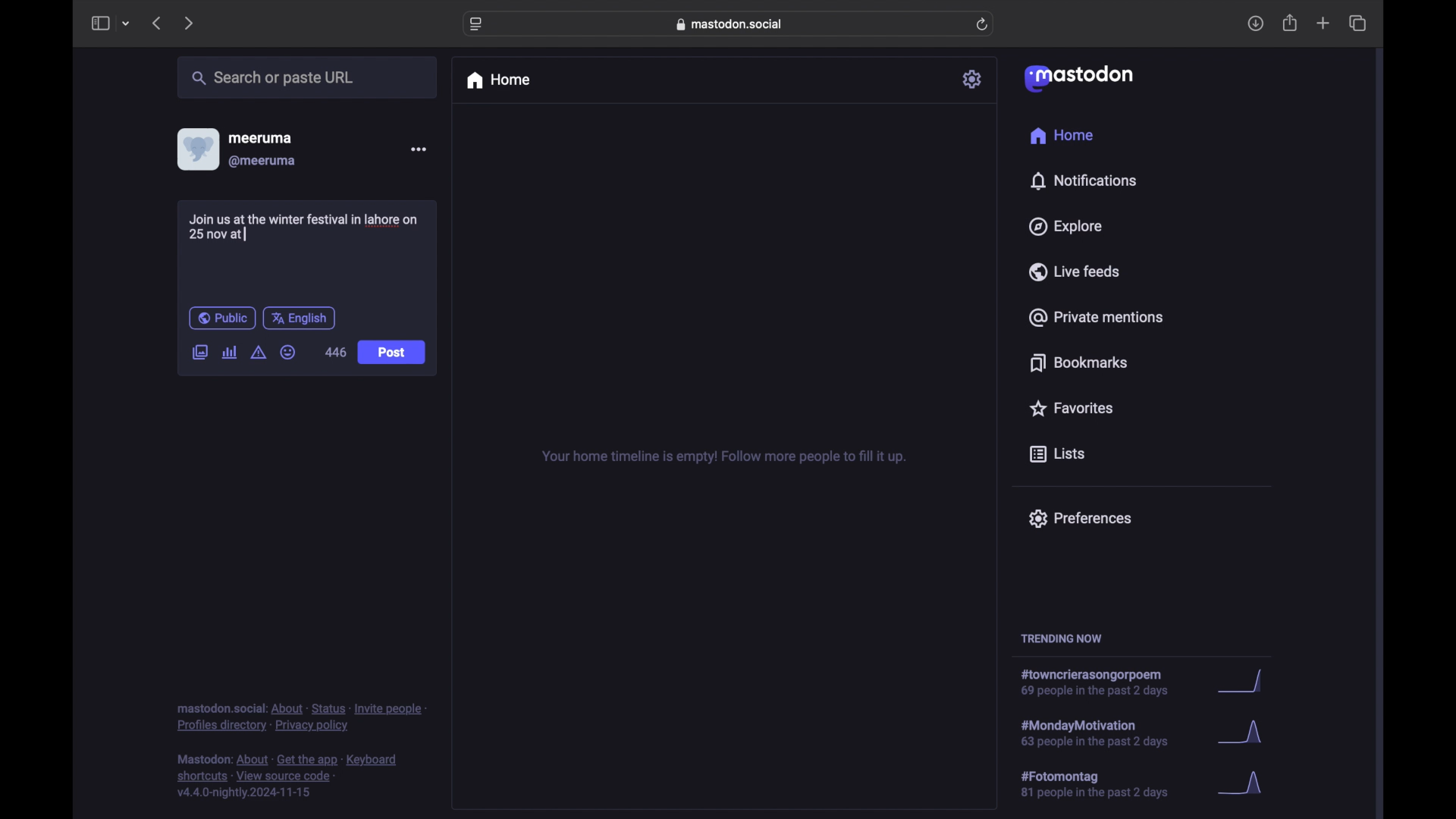 This screenshot has width=1456, height=819. I want to click on text cursor, so click(246, 233).